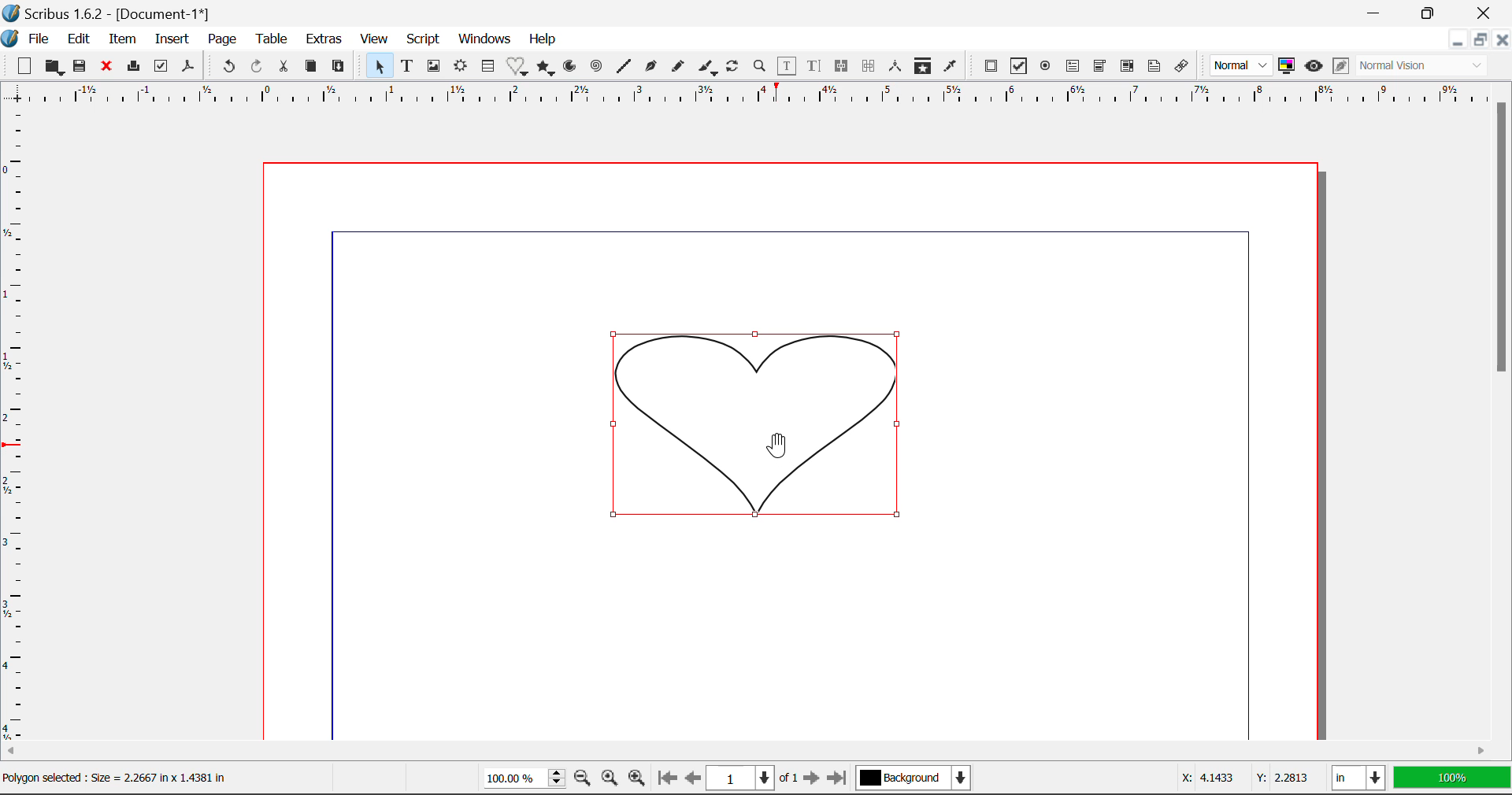  Describe the element at coordinates (569, 66) in the screenshot. I see `Arcs` at that location.